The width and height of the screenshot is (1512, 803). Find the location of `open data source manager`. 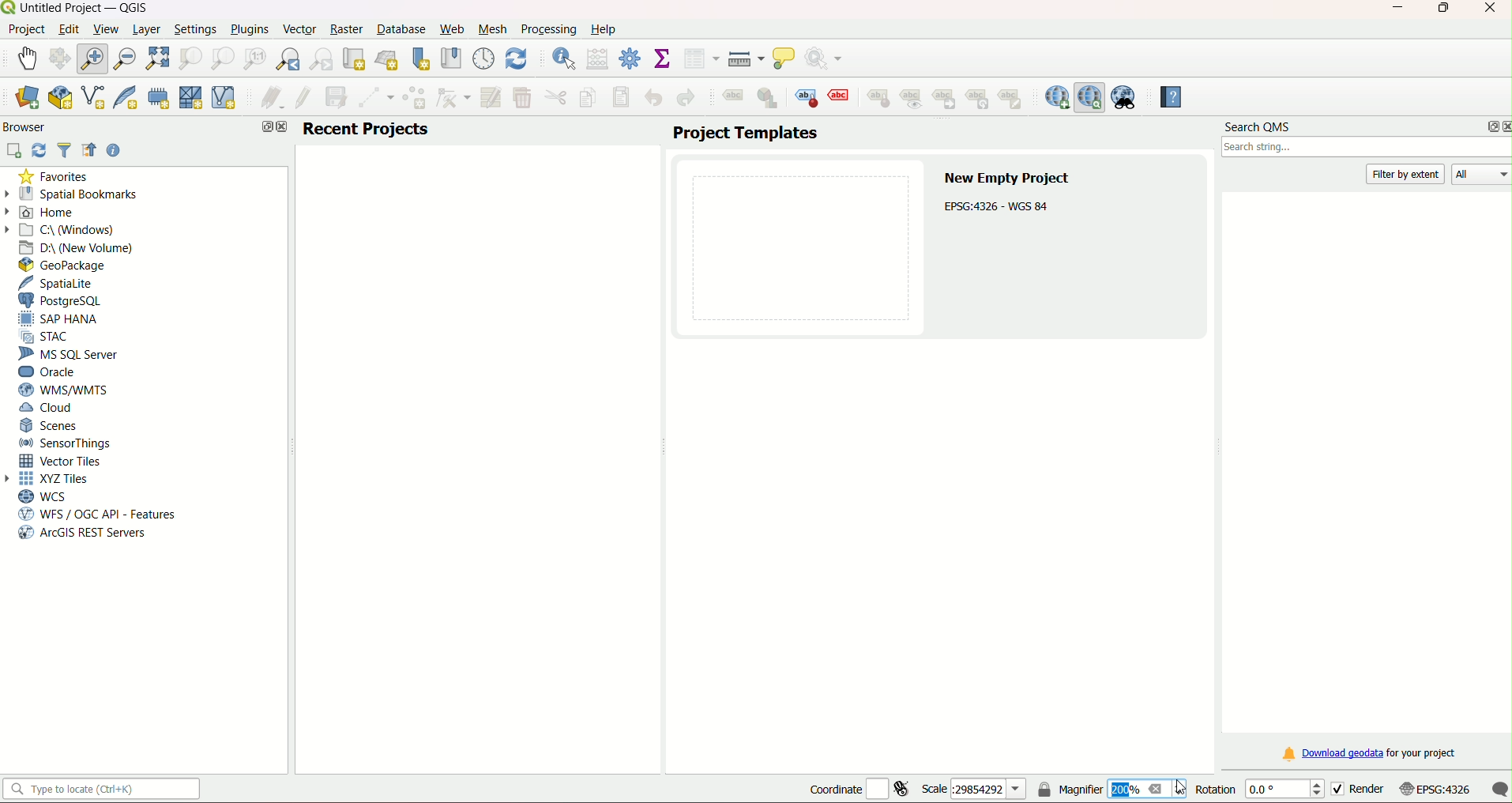

open data source manager is located at coordinates (26, 98).